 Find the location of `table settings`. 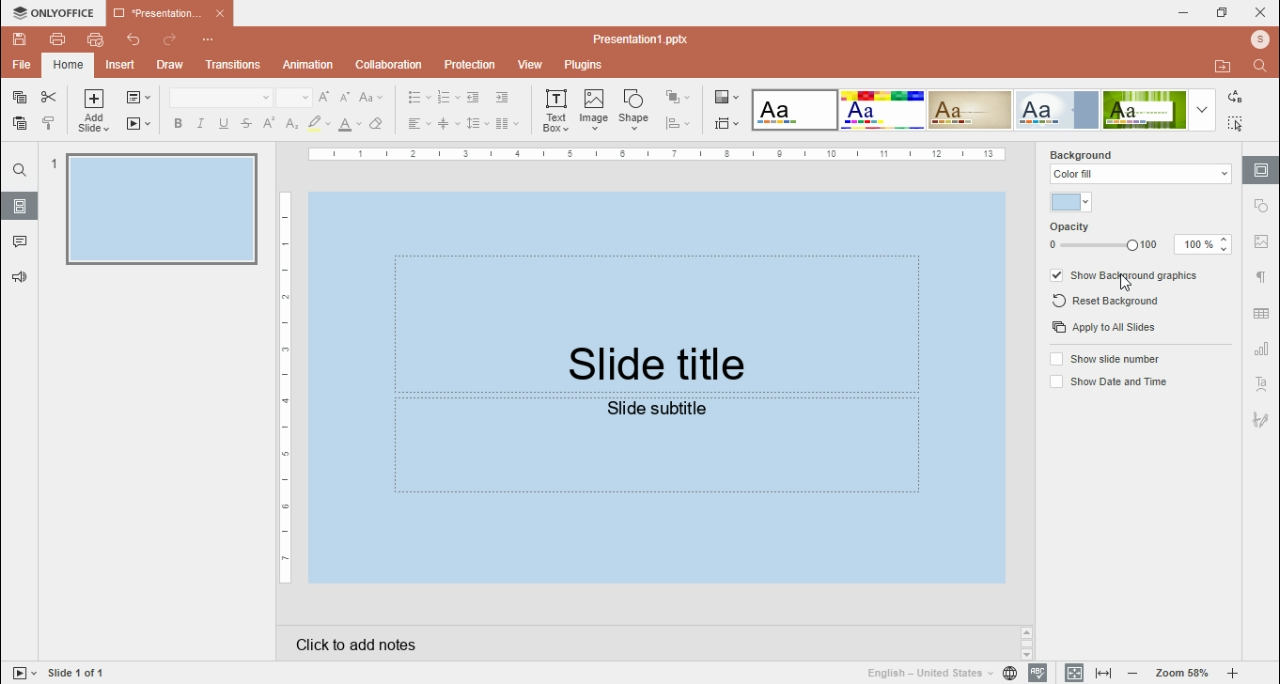

table settings is located at coordinates (1262, 316).